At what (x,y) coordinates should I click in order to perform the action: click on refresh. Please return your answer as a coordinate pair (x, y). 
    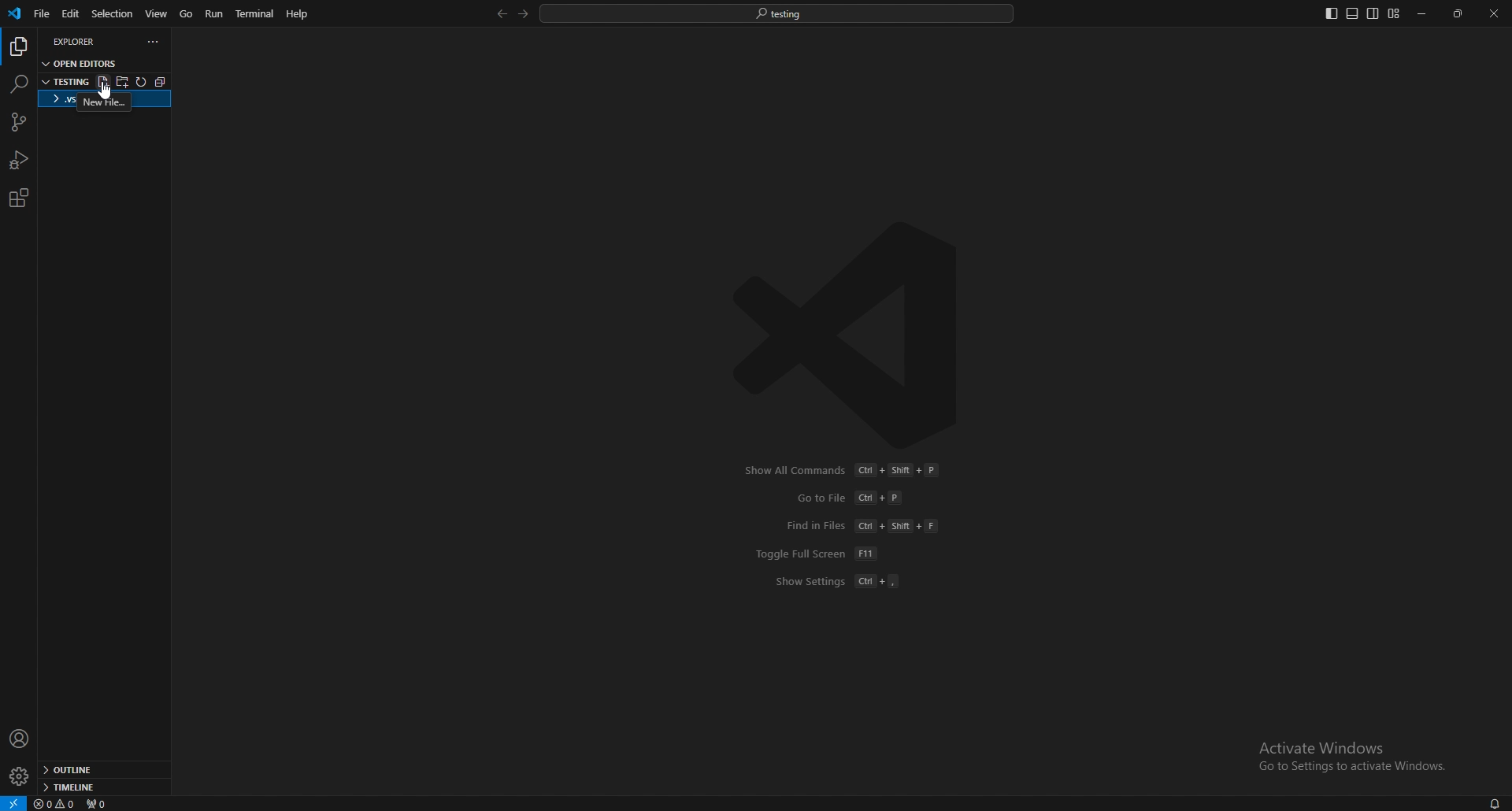
    Looking at the image, I should click on (143, 82).